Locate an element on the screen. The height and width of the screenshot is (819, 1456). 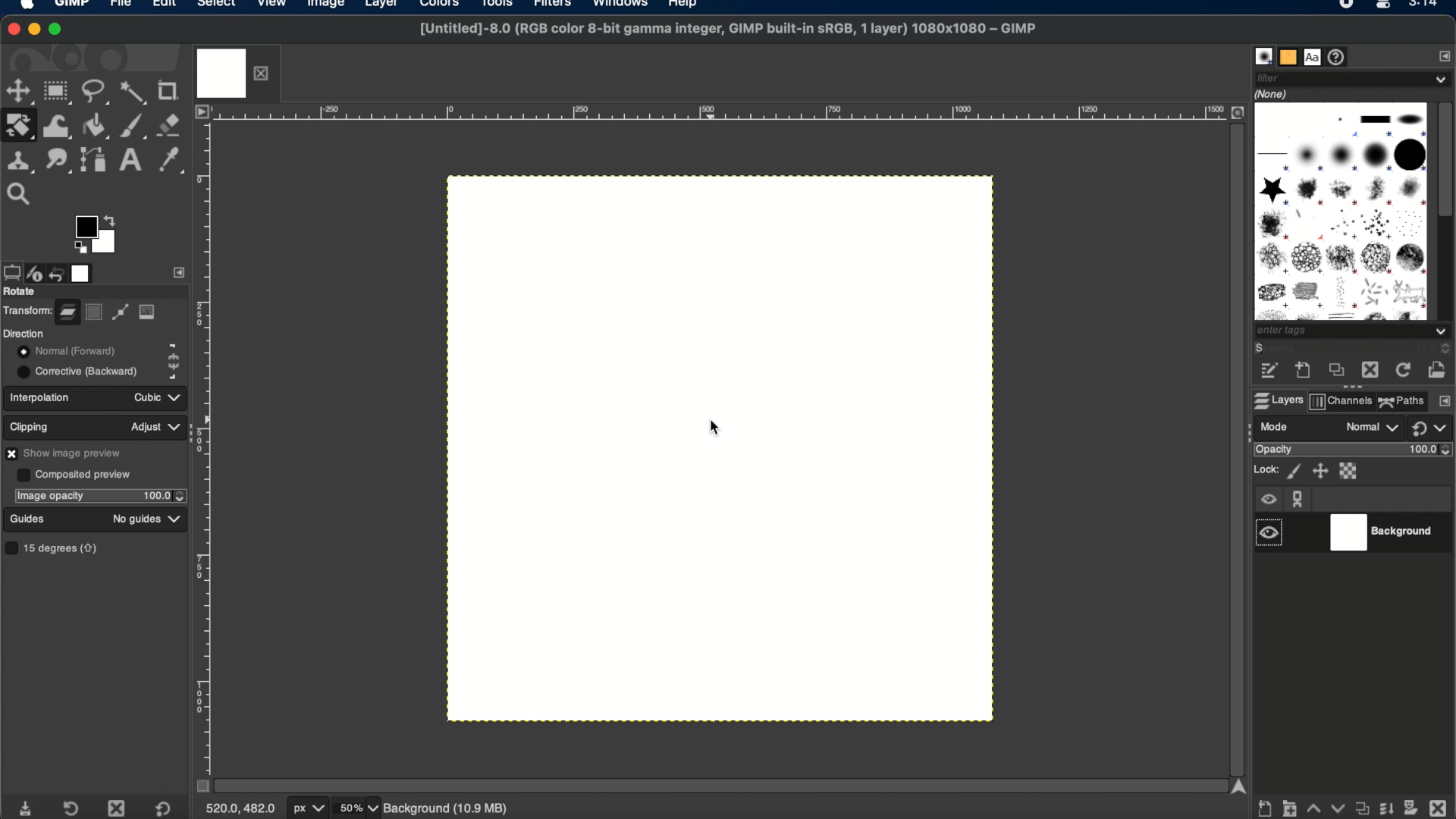
guides is located at coordinates (28, 519).